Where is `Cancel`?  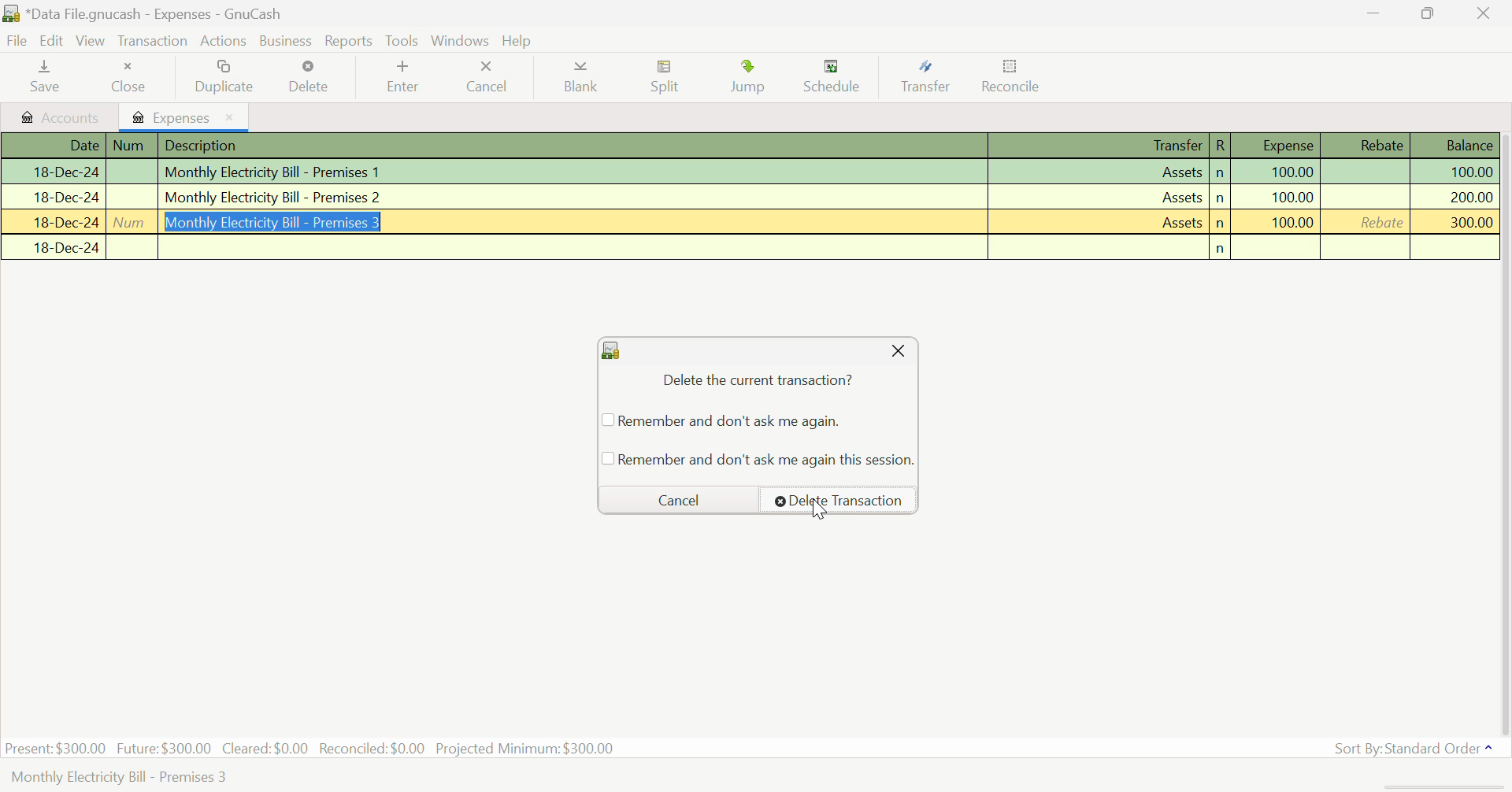 Cancel is located at coordinates (488, 77).